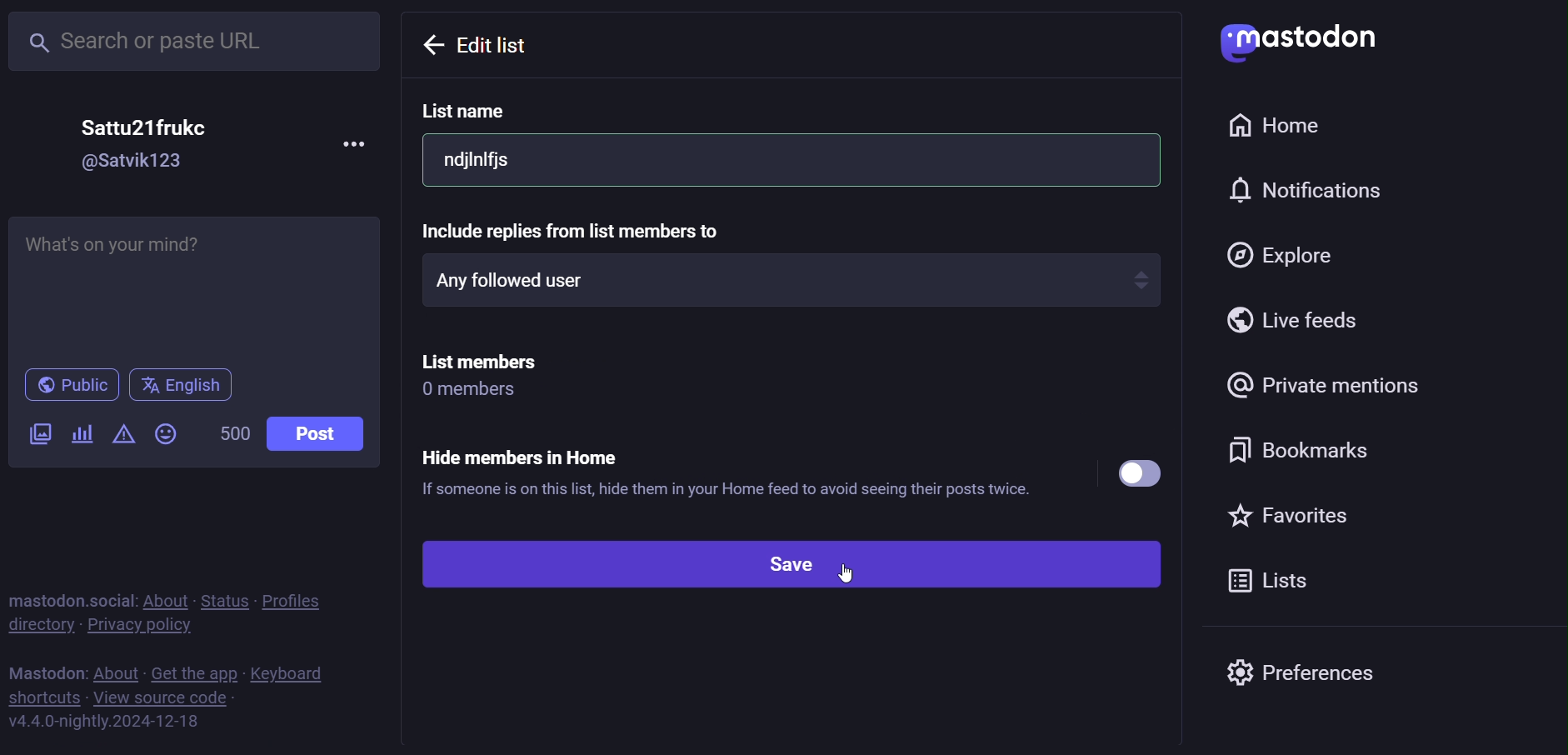 This screenshot has width=1568, height=755. What do you see at coordinates (1301, 667) in the screenshot?
I see `preferences` at bounding box center [1301, 667].